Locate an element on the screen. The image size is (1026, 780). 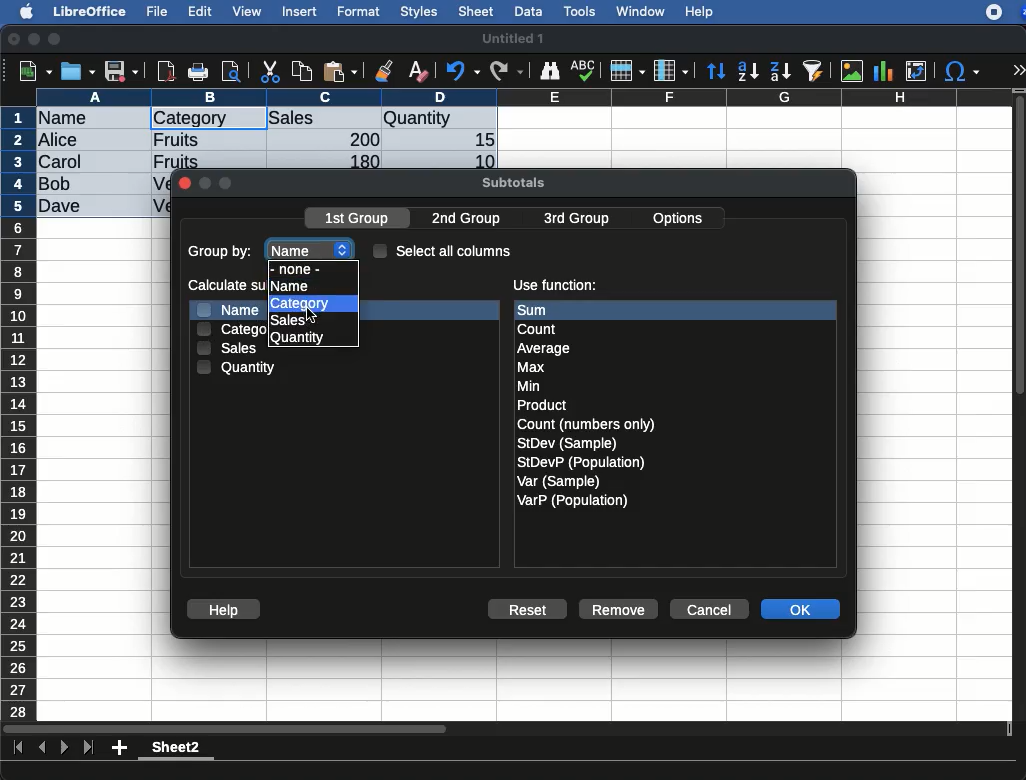
pdf preview is located at coordinates (167, 71).